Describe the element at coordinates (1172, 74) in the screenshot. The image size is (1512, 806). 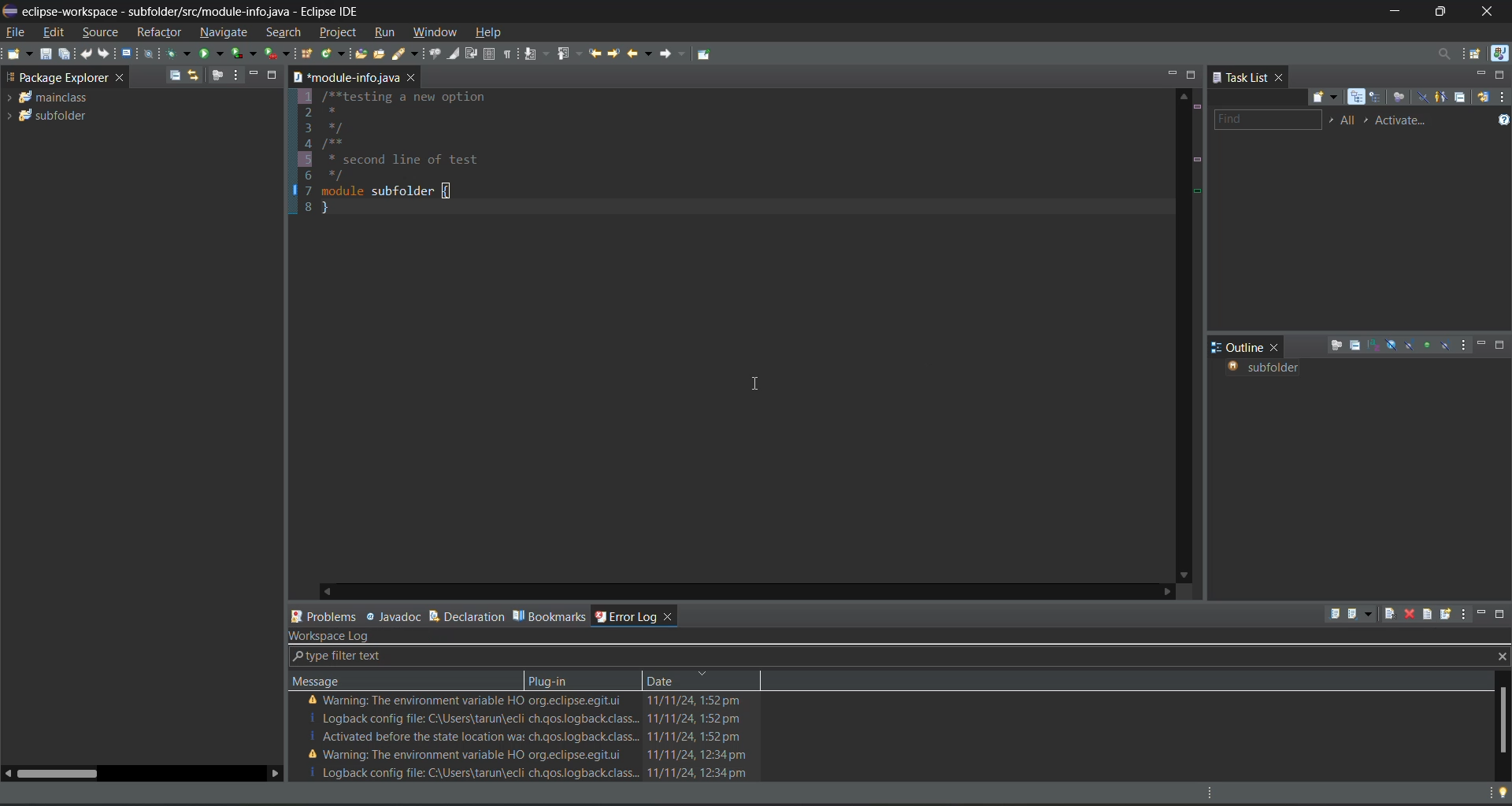
I see `minimize` at that location.